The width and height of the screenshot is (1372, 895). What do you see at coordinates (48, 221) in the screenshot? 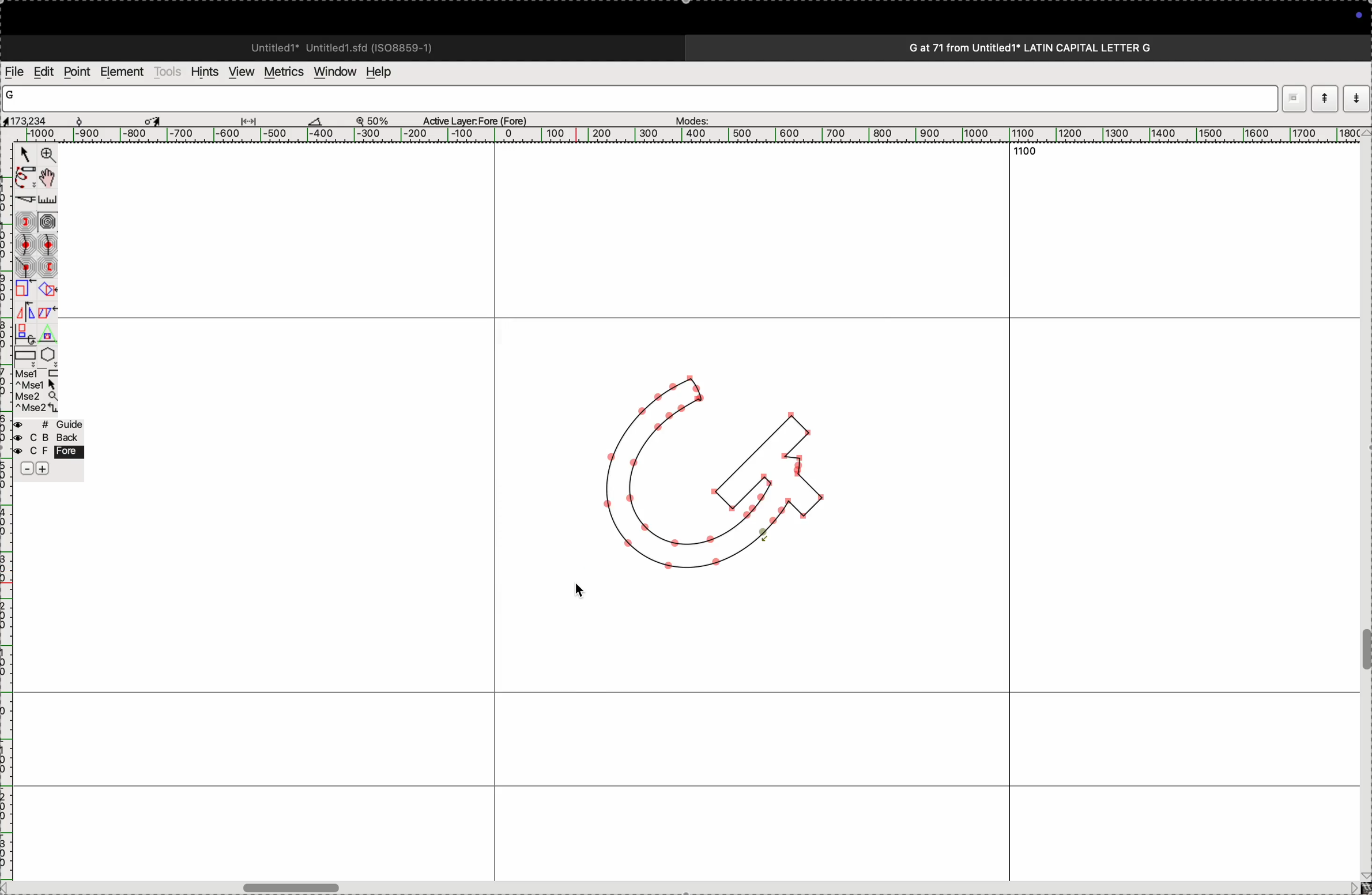
I see `spiro` at bounding box center [48, 221].